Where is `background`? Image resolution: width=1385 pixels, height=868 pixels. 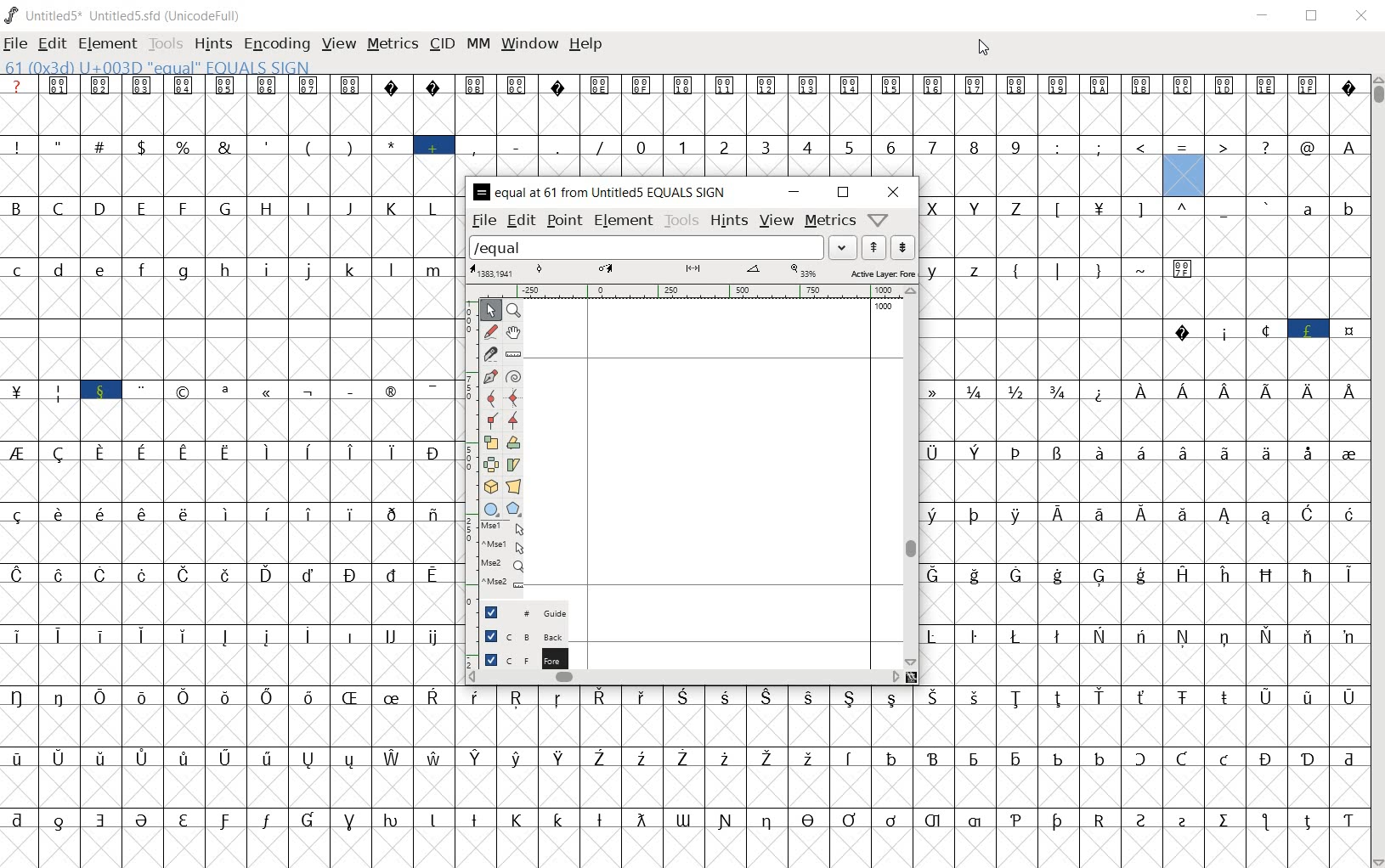 background is located at coordinates (523, 635).